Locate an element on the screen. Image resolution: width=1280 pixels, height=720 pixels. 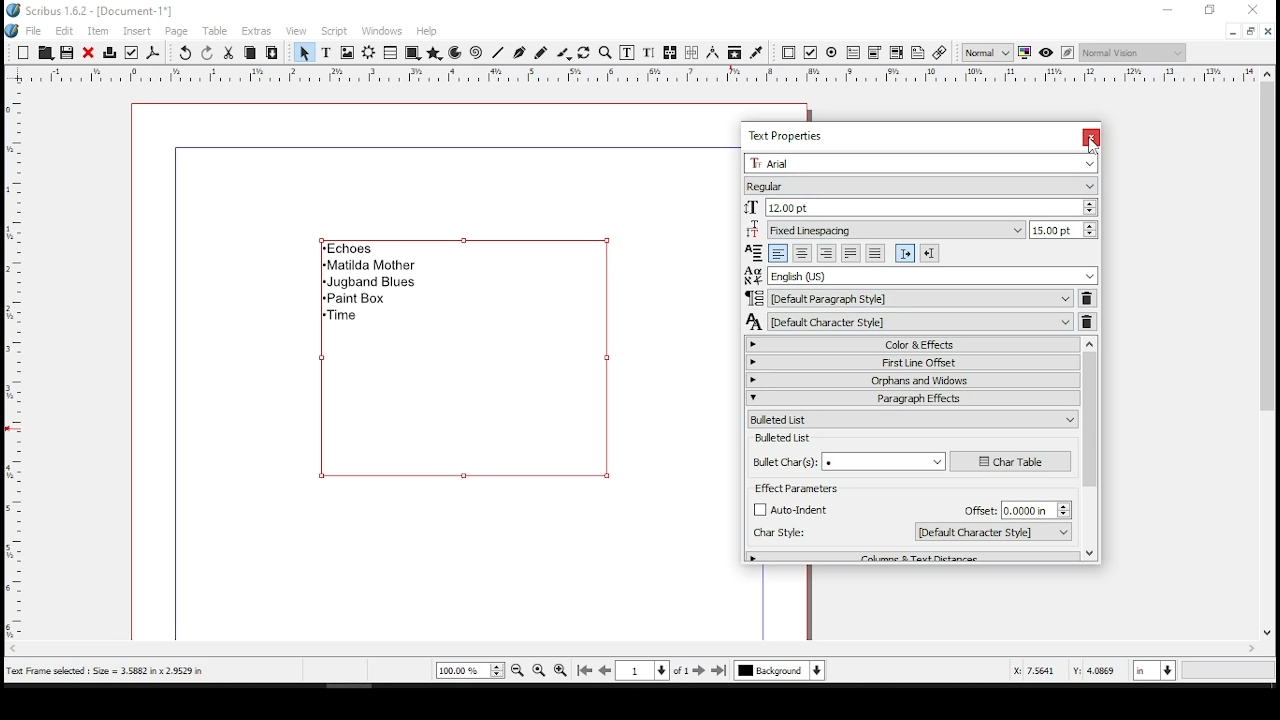
font is located at coordinates (920, 166).